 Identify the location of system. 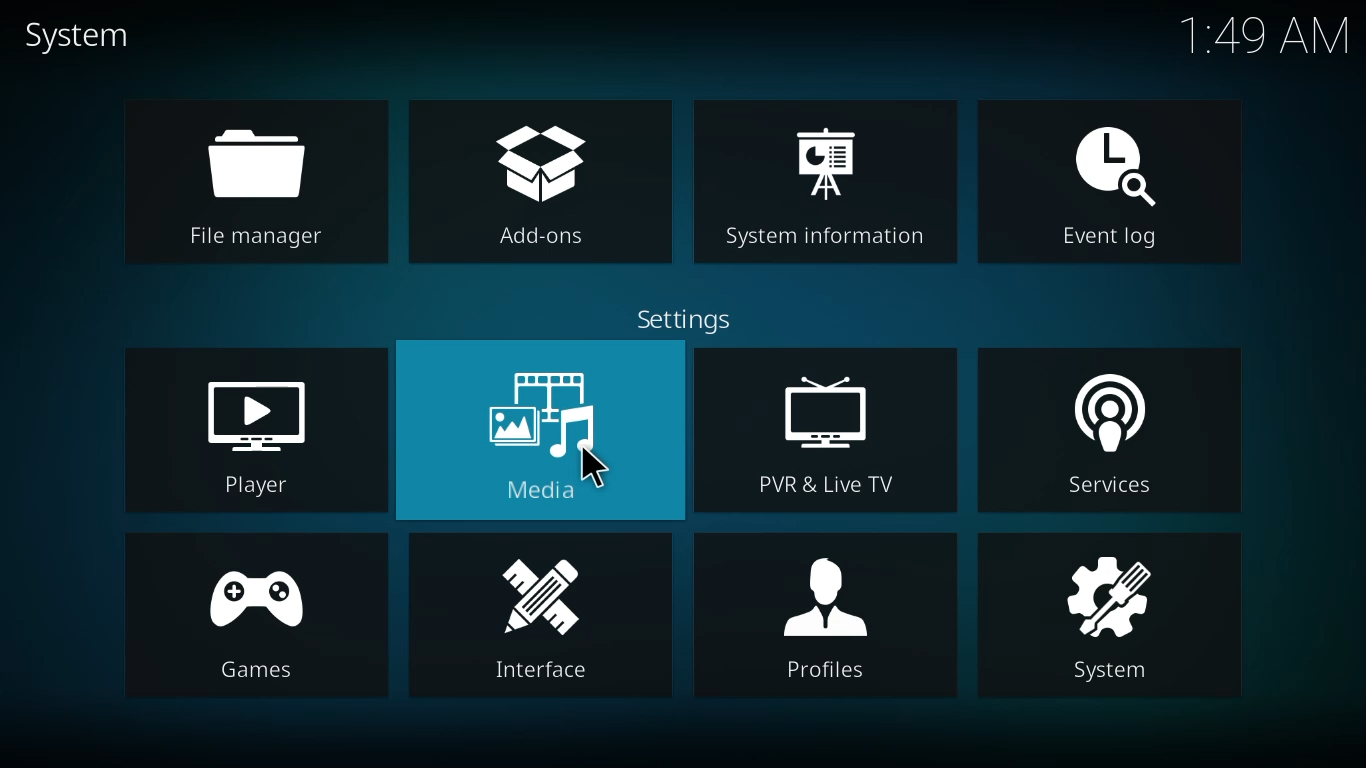
(76, 37).